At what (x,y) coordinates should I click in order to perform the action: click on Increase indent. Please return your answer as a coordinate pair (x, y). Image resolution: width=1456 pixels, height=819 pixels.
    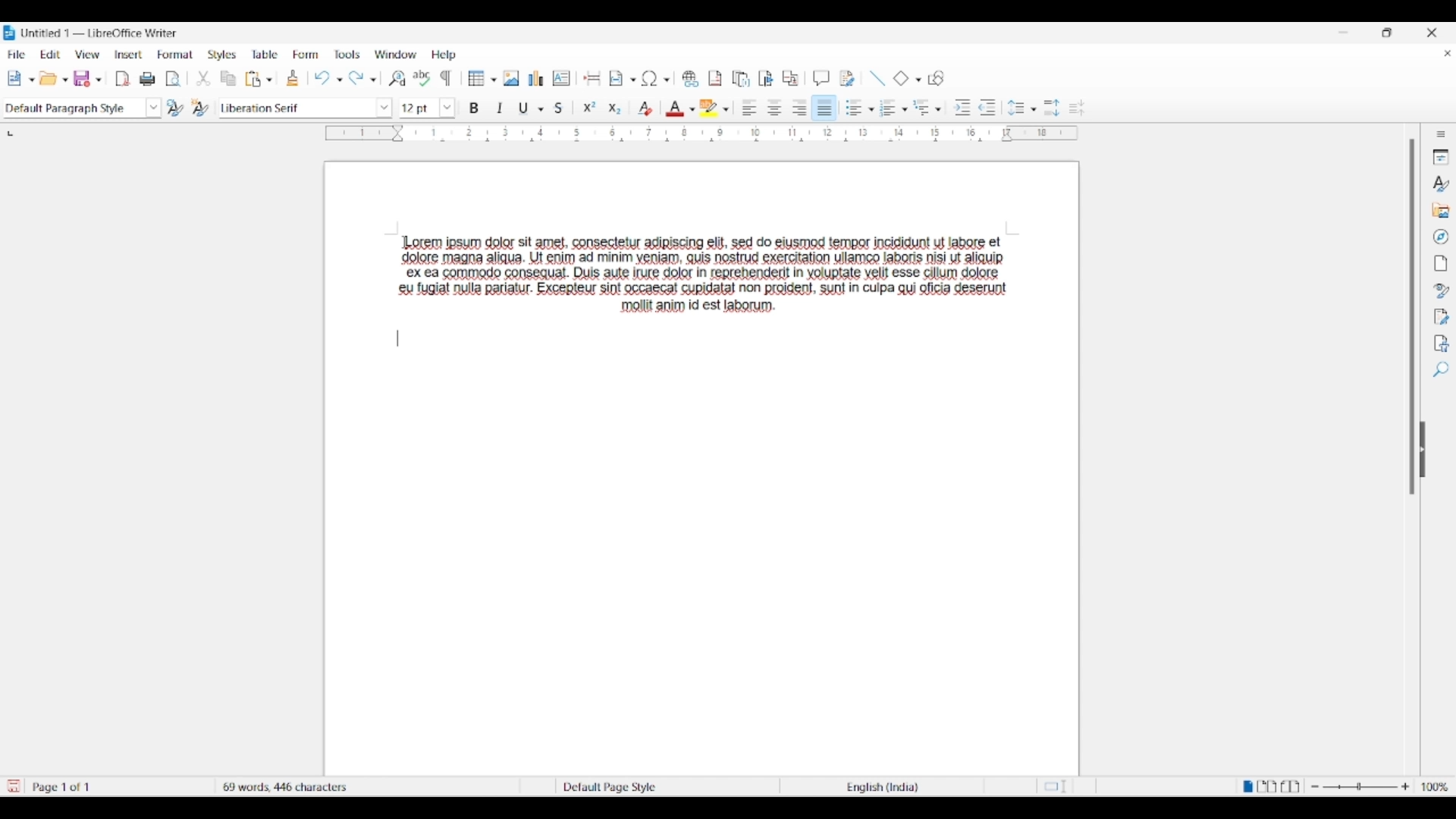
    Looking at the image, I should click on (962, 108).